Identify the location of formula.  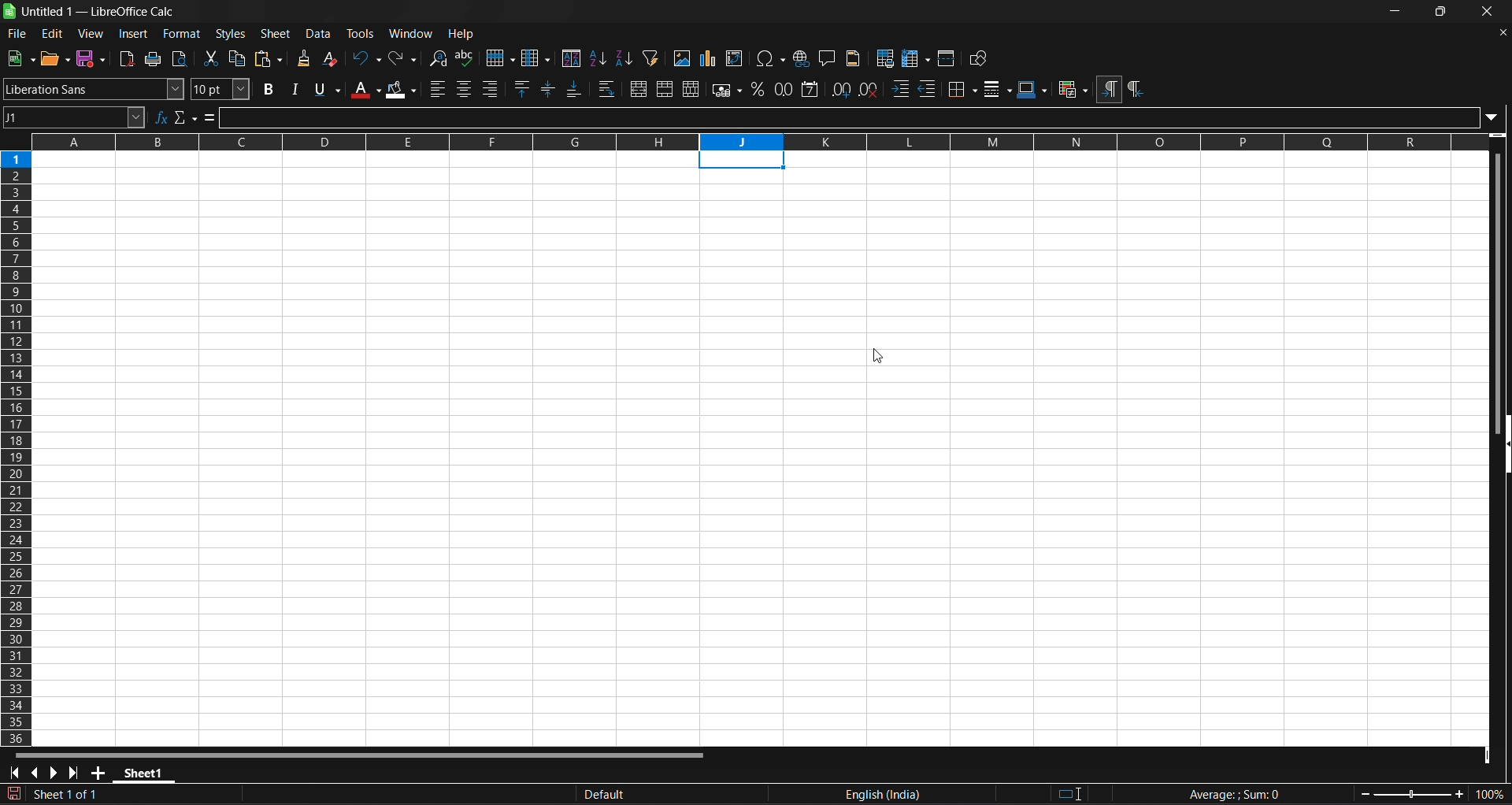
(212, 117).